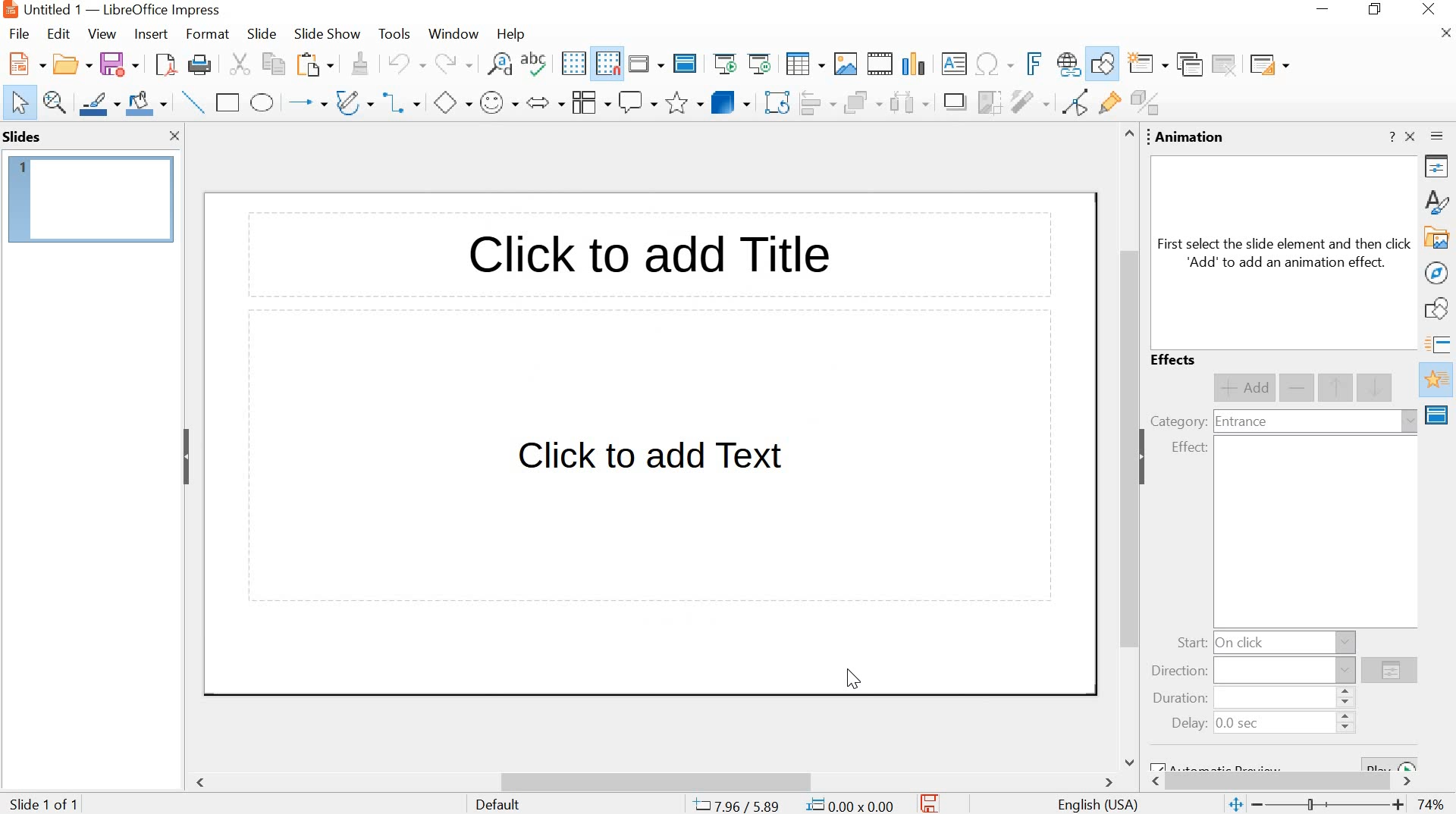  What do you see at coordinates (228, 102) in the screenshot?
I see `rectangle` at bounding box center [228, 102].